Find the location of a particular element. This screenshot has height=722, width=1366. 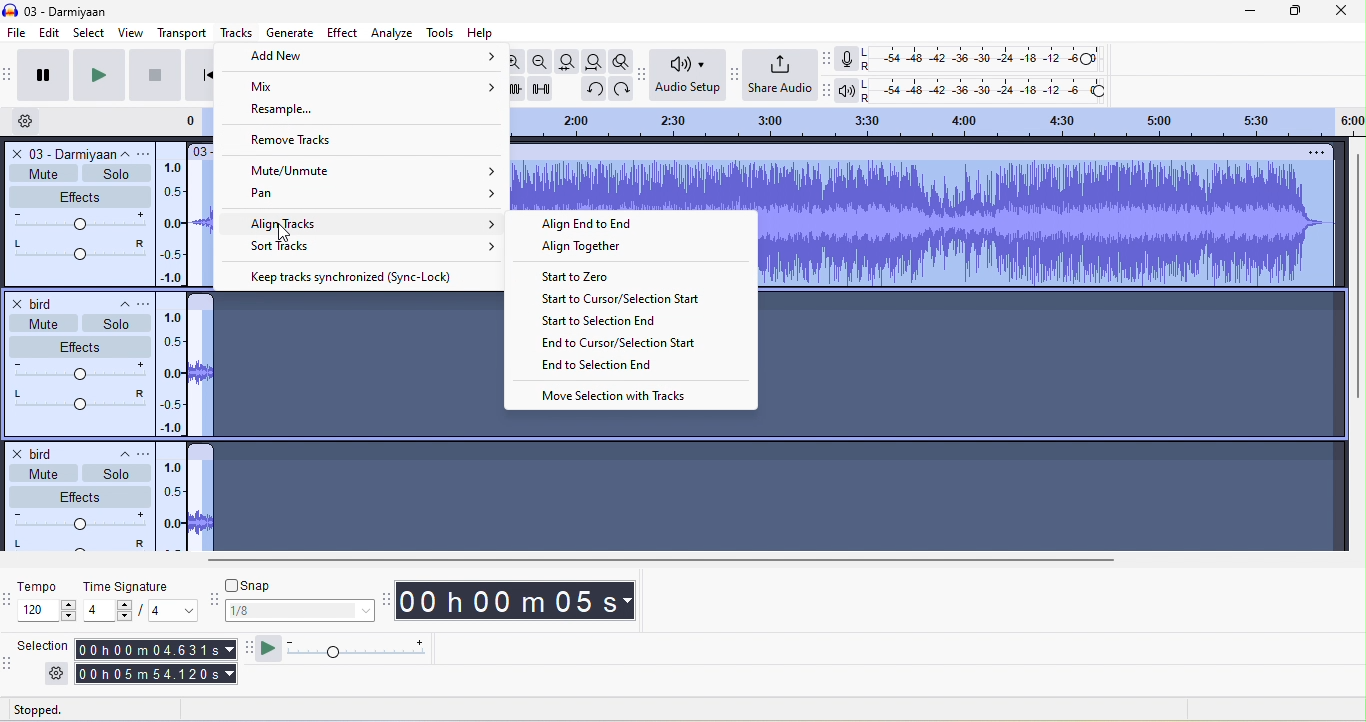

audacity play at speed toolbar is located at coordinates (248, 649).